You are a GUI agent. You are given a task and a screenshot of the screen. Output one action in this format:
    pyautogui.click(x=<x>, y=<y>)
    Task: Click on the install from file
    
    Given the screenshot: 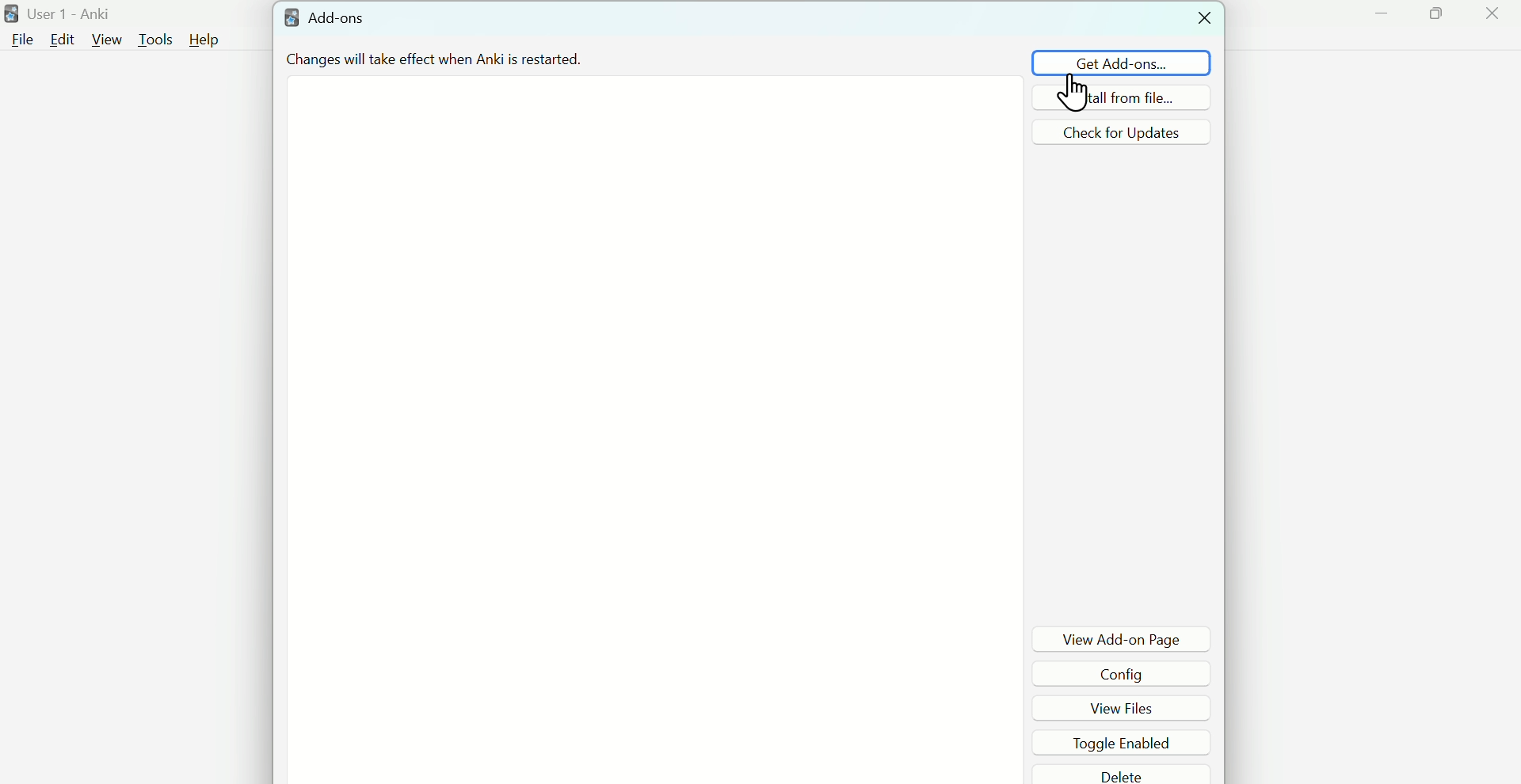 What is the action you would take?
    pyautogui.click(x=1120, y=97)
    